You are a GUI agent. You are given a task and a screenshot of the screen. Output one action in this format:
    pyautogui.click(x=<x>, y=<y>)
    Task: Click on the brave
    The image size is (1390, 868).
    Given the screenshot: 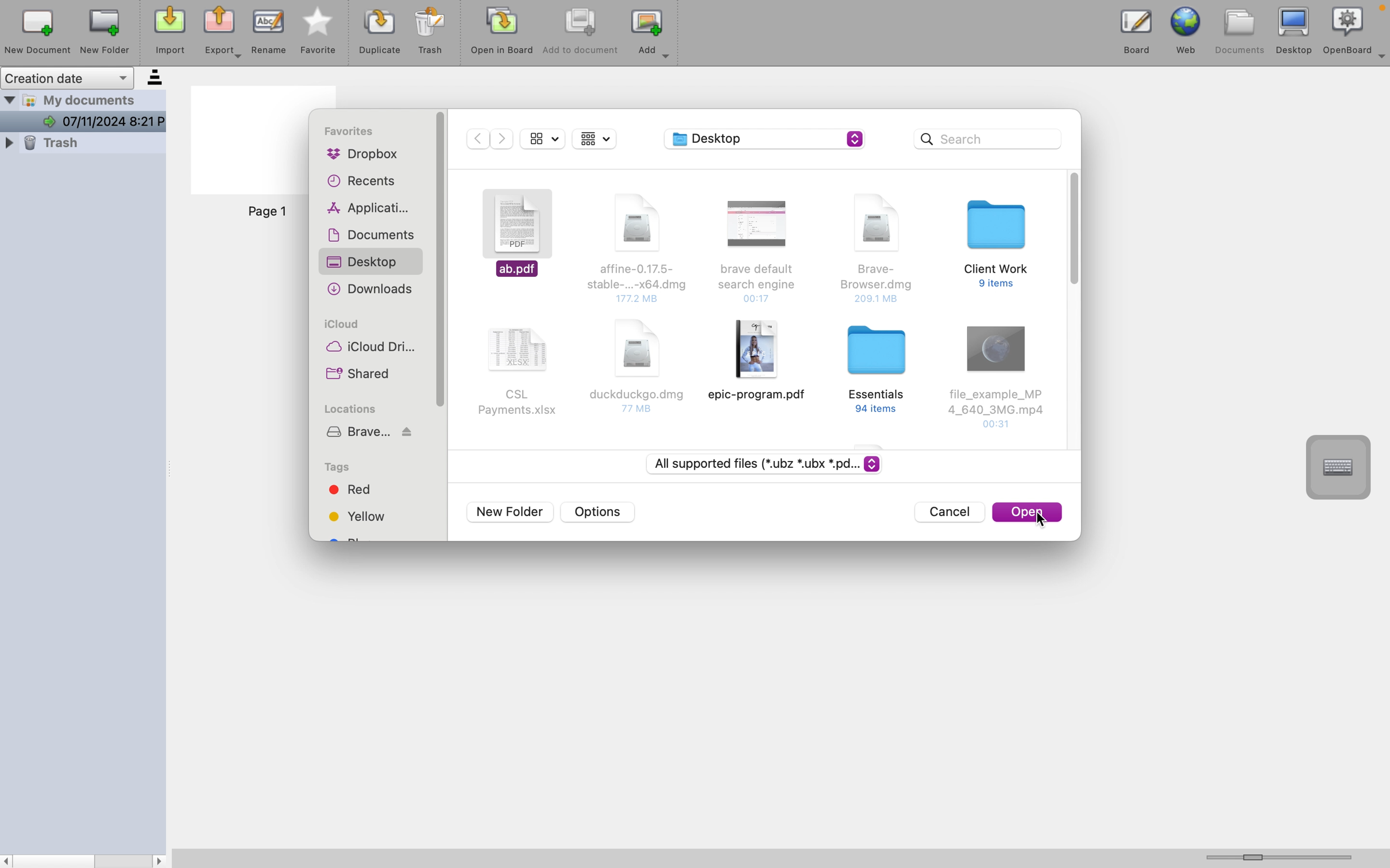 What is the action you would take?
    pyautogui.click(x=370, y=432)
    